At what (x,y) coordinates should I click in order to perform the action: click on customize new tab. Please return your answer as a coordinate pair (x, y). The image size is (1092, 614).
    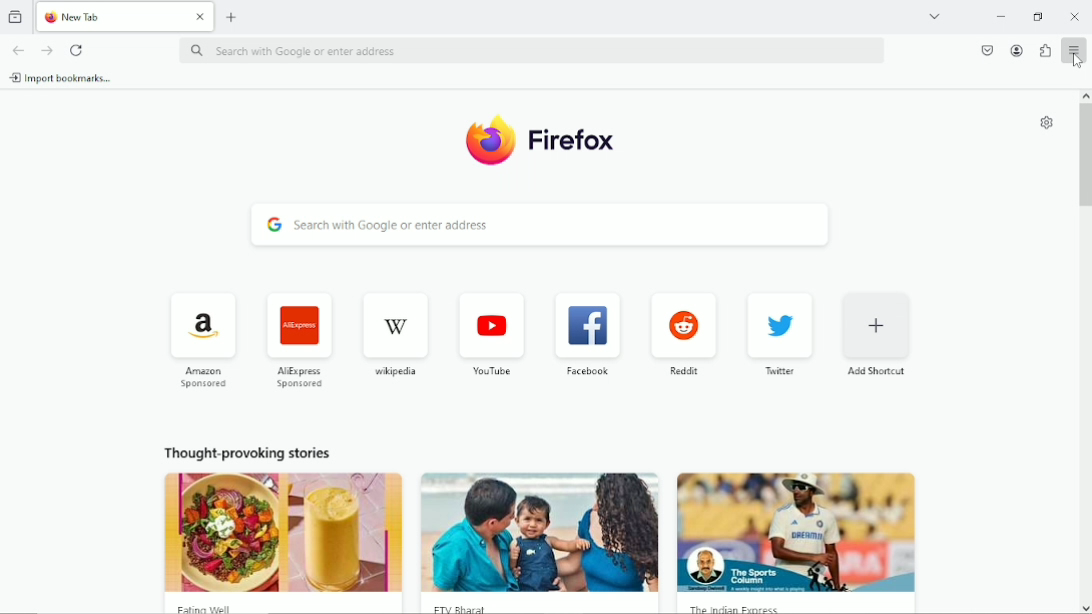
    Looking at the image, I should click on (1046, 122).